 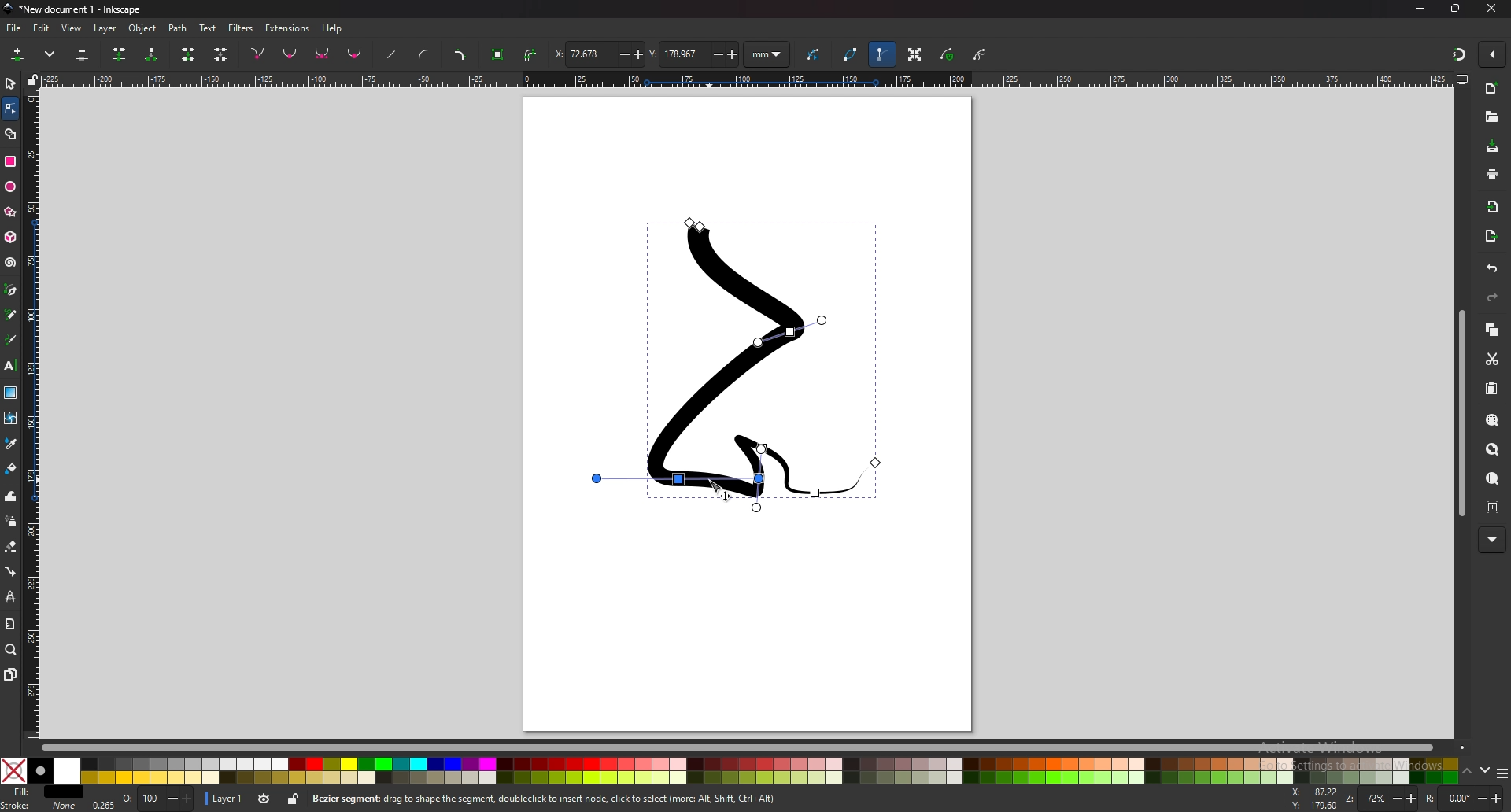 What do you see at coordinates (1491, 148) in the screenshot?
I see `save` at bounding box center [1491, 148].